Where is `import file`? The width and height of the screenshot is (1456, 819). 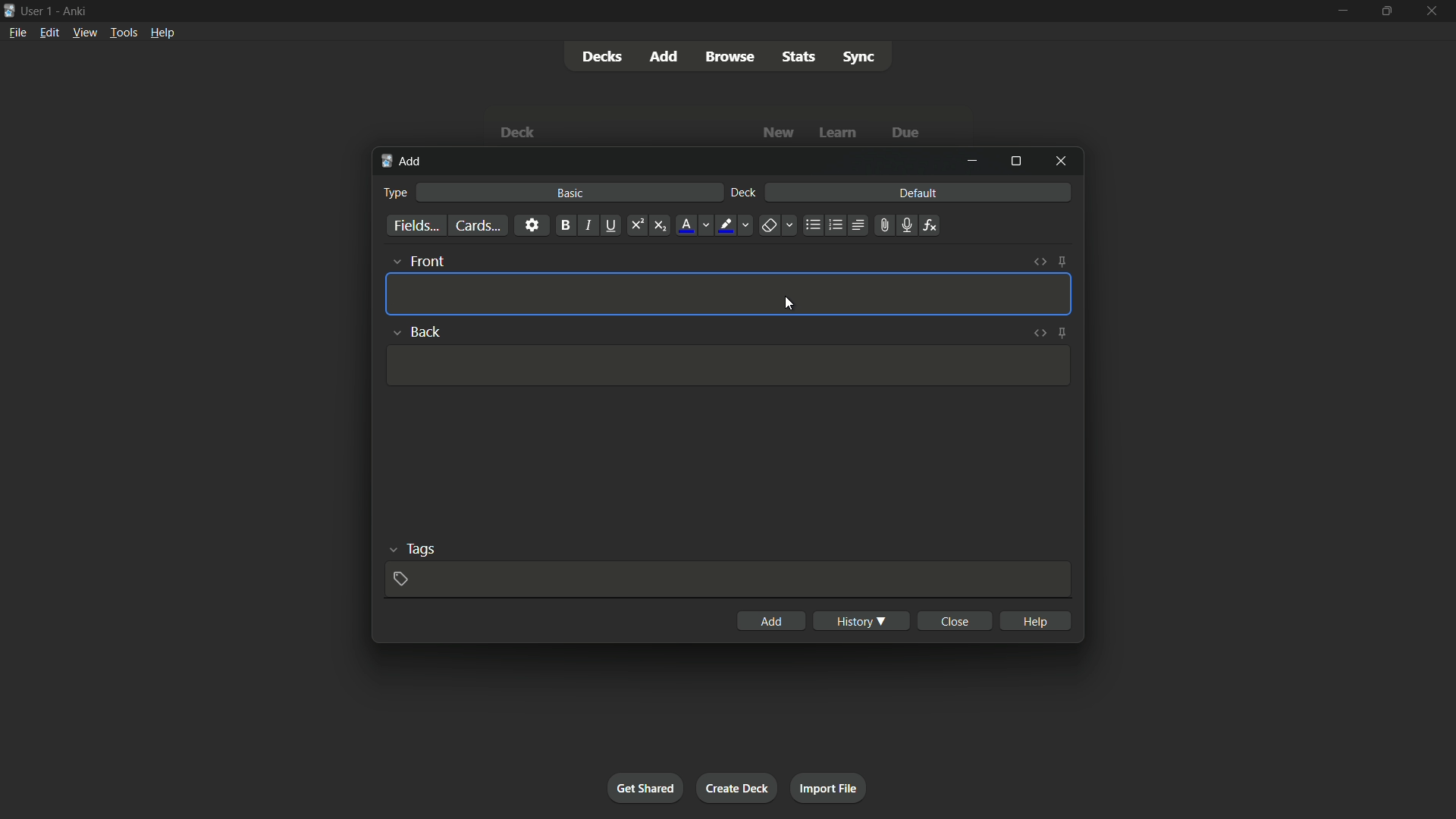 import file is located at coordinates (827, 786).